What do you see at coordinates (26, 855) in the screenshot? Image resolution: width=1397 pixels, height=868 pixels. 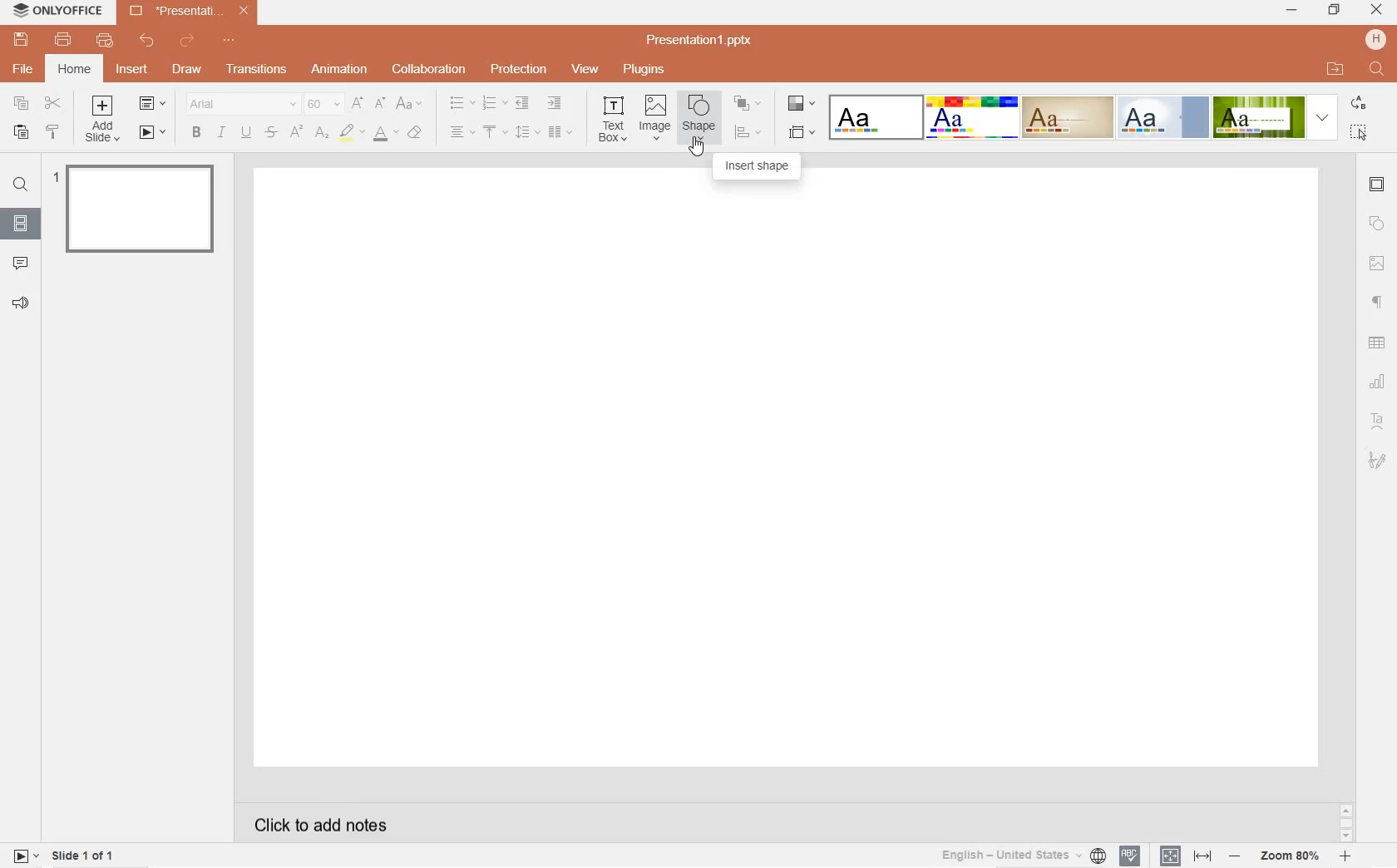 I see `start slide show` at bounding box center [26, 855].